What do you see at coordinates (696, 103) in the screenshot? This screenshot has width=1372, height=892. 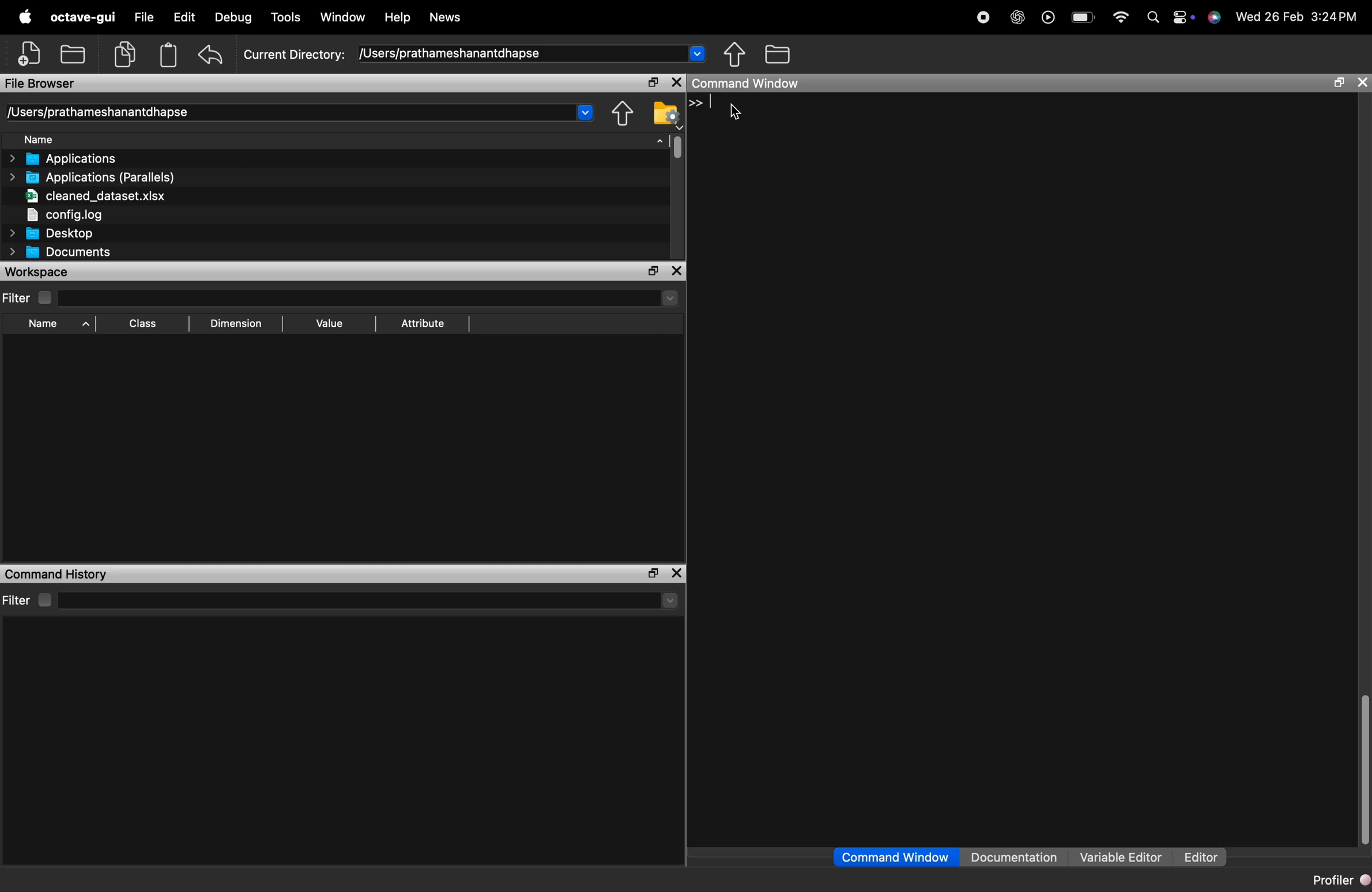 I see `New Line` at bounding box center [696, 103].